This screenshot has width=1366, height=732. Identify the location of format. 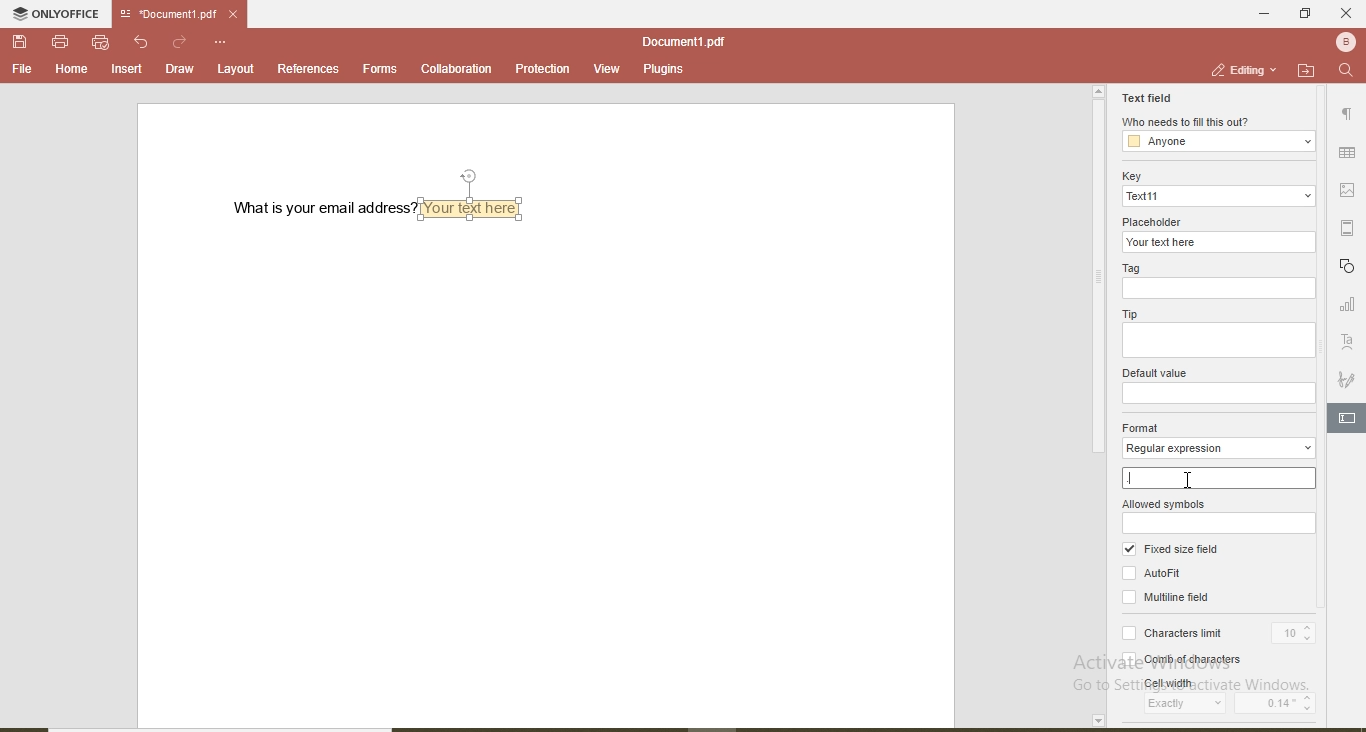
(1143, 426).